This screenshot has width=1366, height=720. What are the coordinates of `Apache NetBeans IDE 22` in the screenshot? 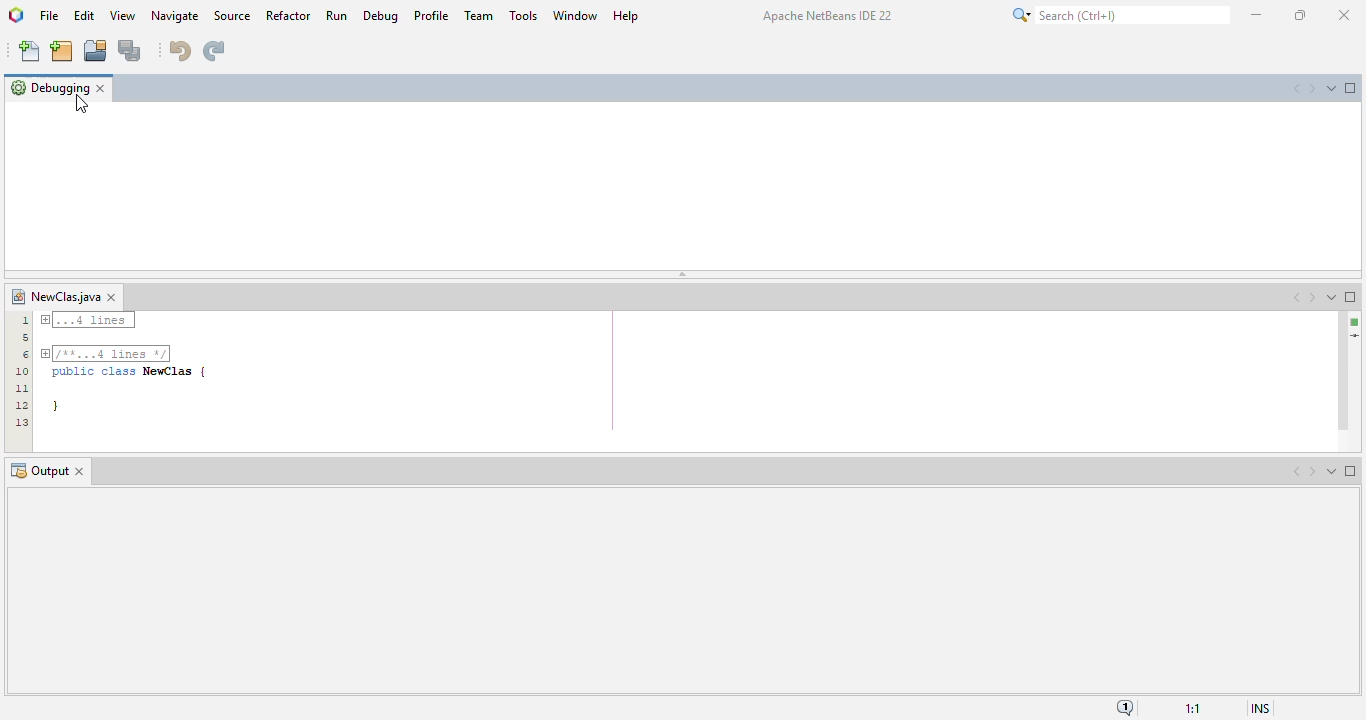 It's located at (826, 16).